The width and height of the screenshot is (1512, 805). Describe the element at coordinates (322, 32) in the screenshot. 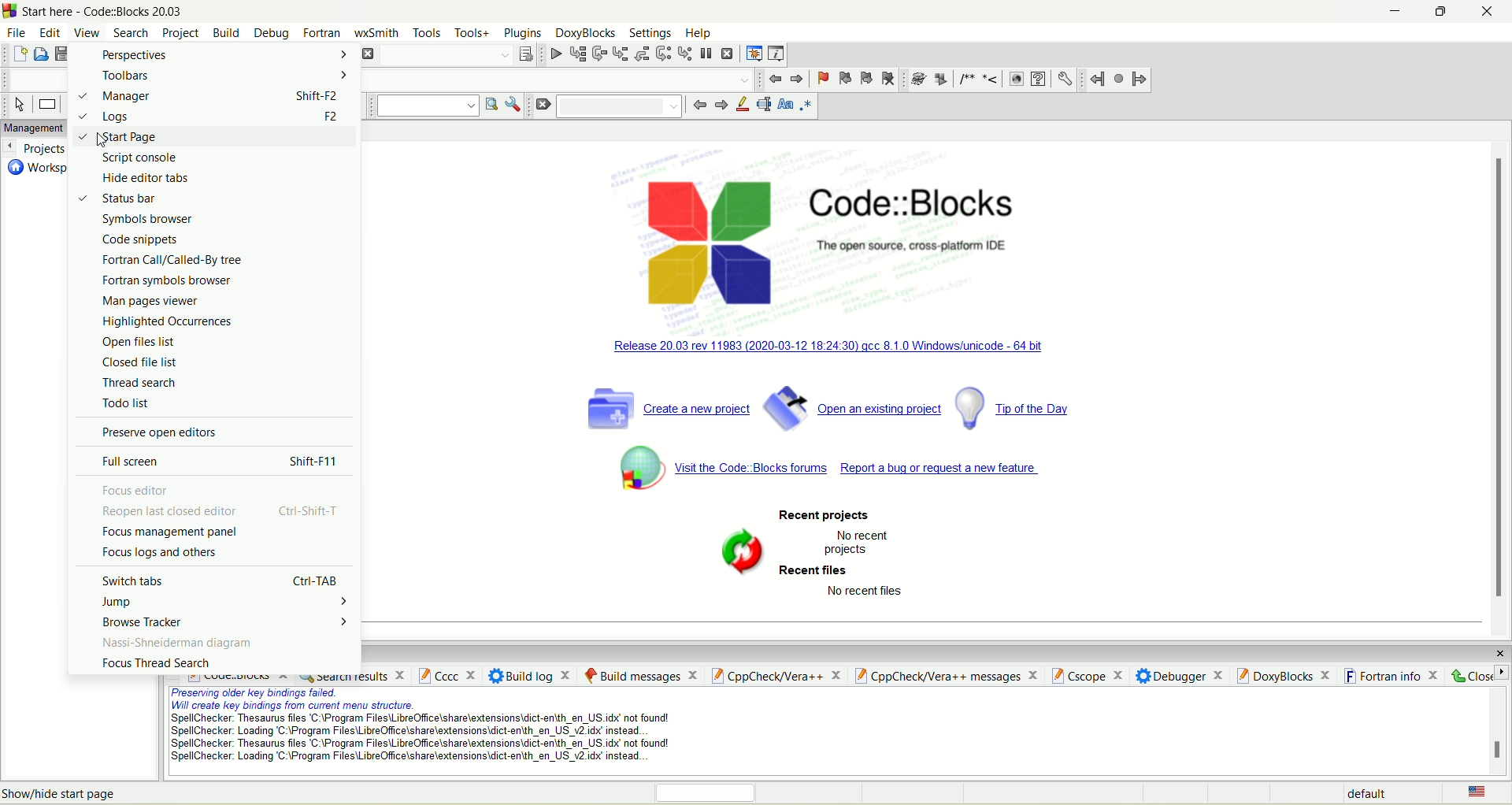

I see `Fortan` at that location.